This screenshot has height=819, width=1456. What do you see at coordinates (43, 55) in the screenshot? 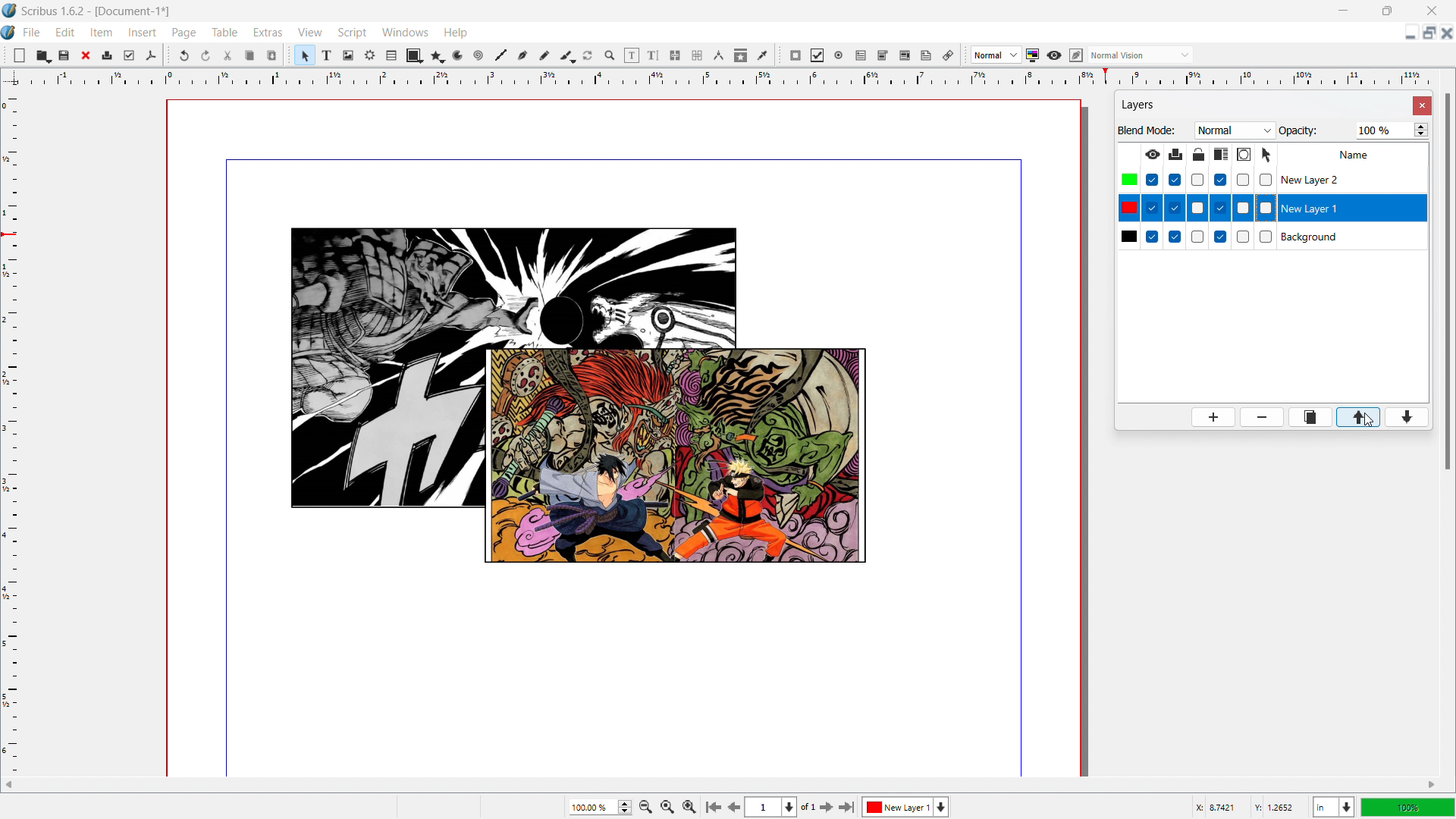
I see `open` at bounding box center [43, 55].